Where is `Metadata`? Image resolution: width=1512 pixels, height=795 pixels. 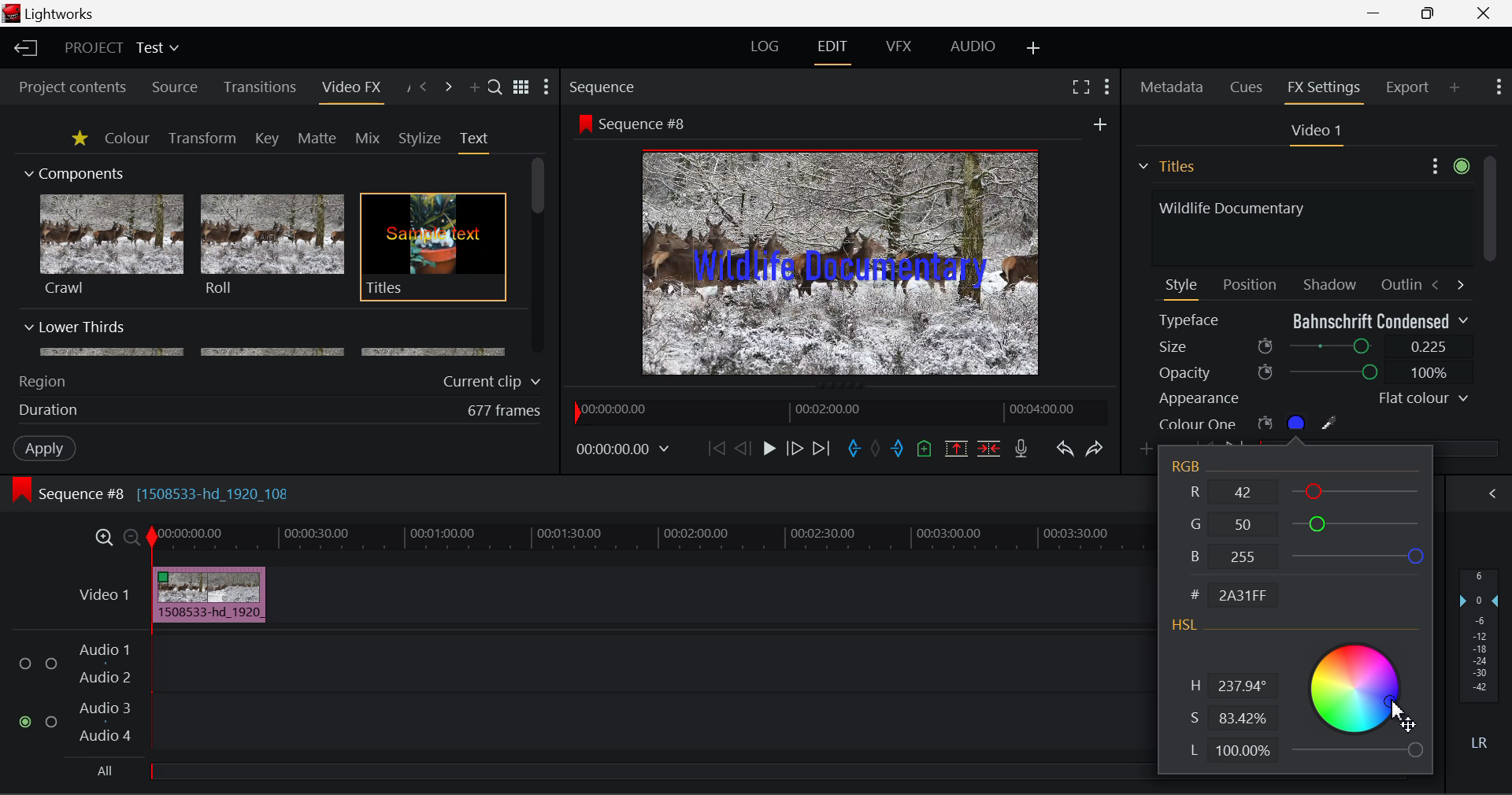 Metadata is located at coordinates (1173, 89).